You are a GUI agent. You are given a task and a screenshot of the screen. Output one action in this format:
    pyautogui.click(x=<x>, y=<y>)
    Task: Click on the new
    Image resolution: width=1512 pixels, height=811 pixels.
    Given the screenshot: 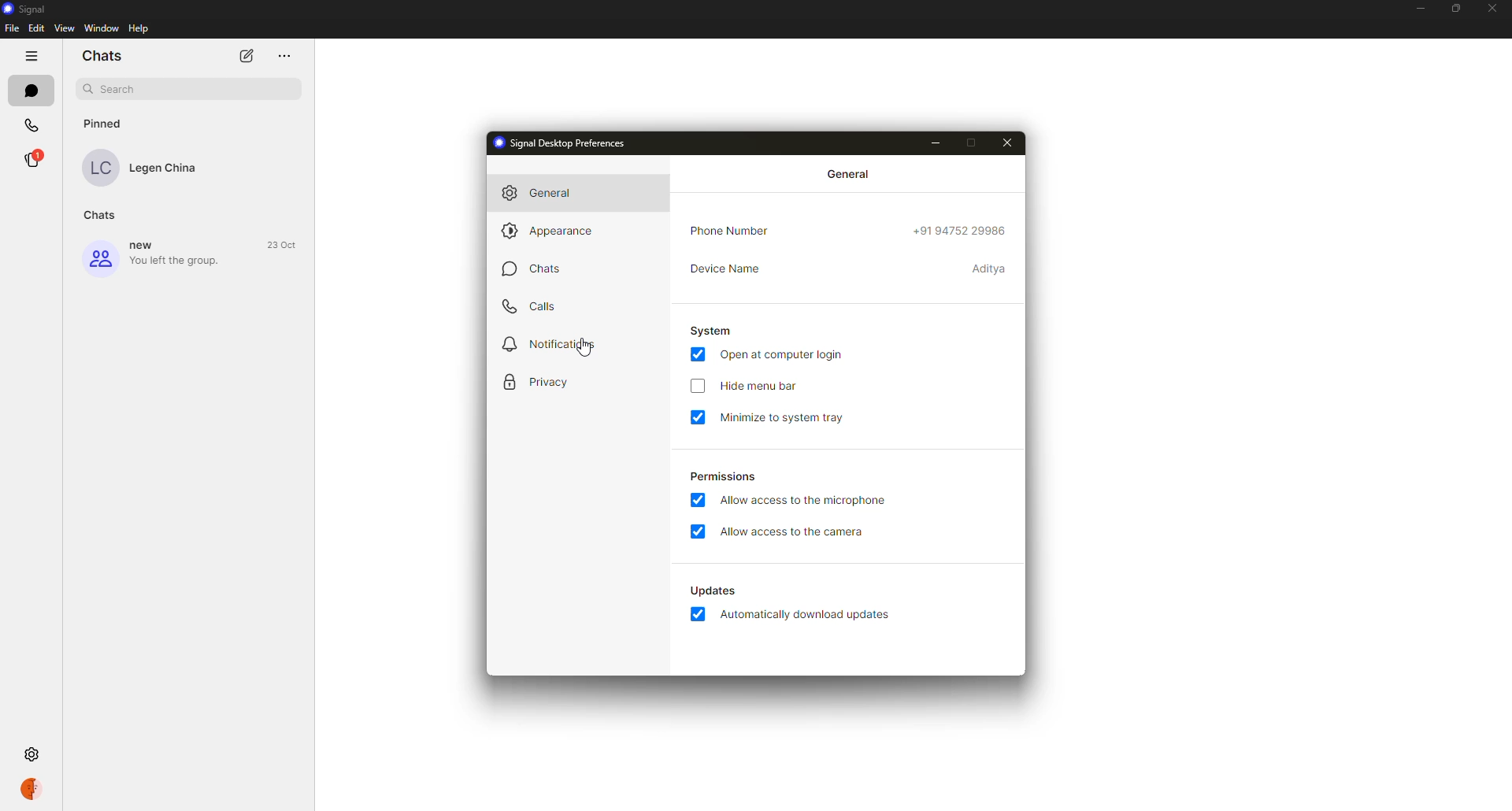 What is the action you would take?
    pyautogui.click(x=141, y=244)
    